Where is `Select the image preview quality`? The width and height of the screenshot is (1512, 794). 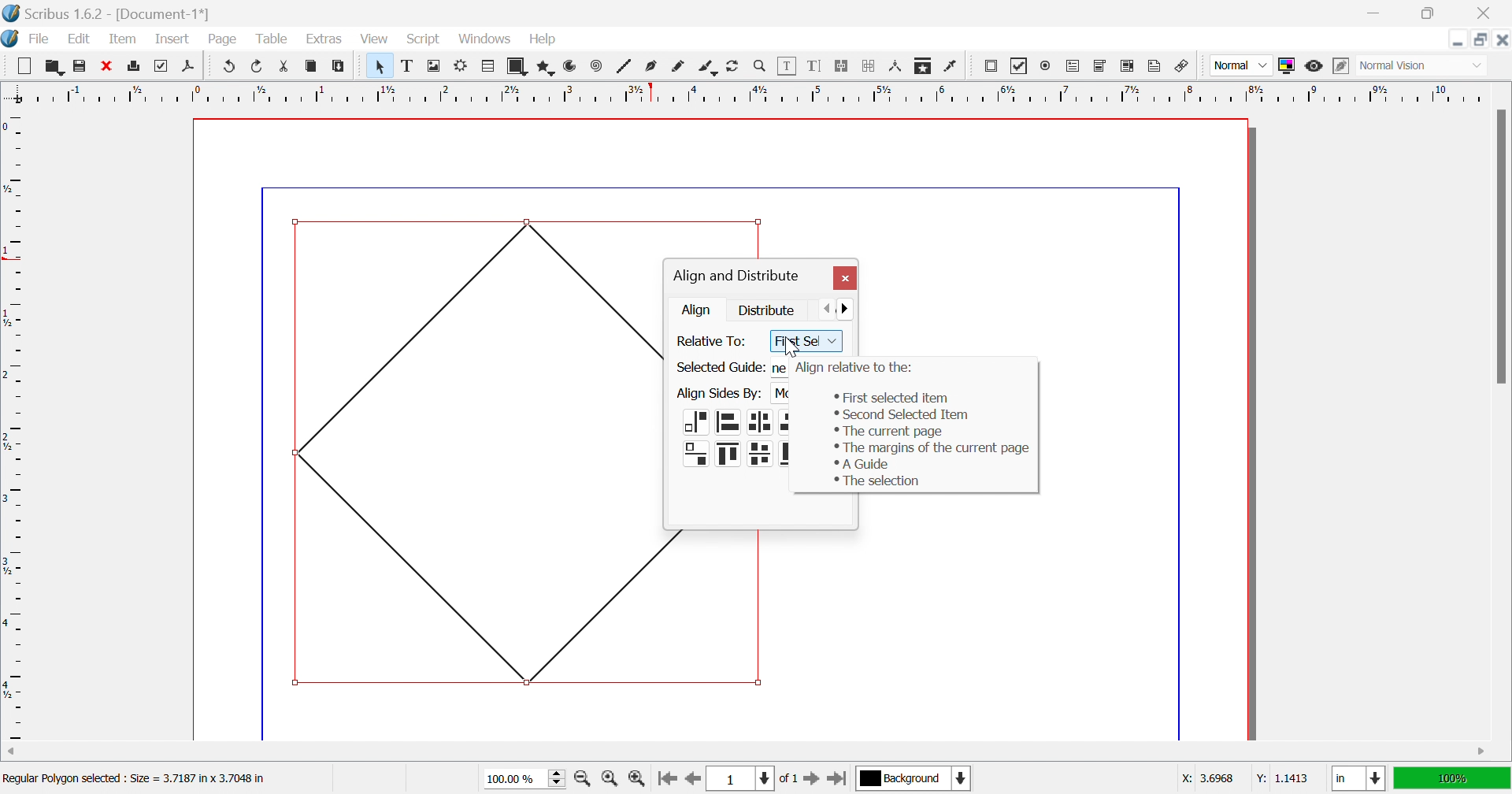 Select the image preview quality is located at coordinates (1240, 65).